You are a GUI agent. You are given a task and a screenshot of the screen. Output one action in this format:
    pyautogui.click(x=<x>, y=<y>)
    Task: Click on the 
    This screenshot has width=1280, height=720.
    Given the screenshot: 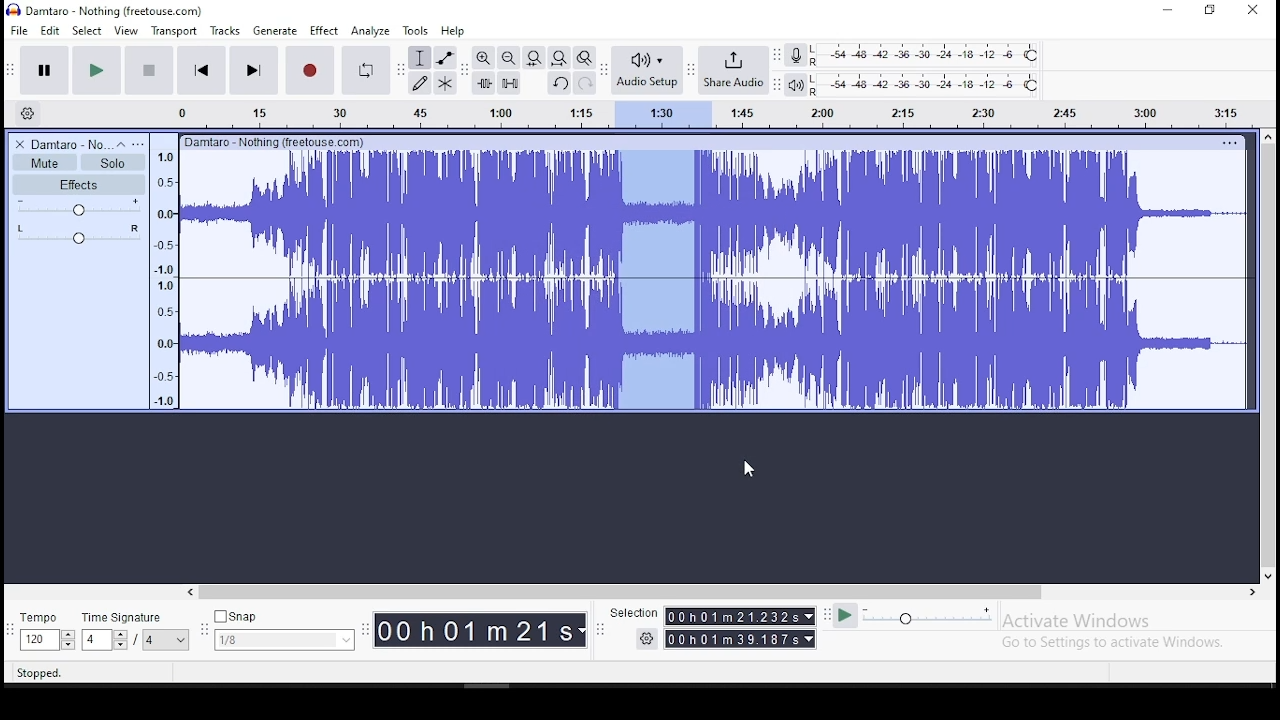 What is the action you would take?
    pyautogui.click(x=11, y=68)
    